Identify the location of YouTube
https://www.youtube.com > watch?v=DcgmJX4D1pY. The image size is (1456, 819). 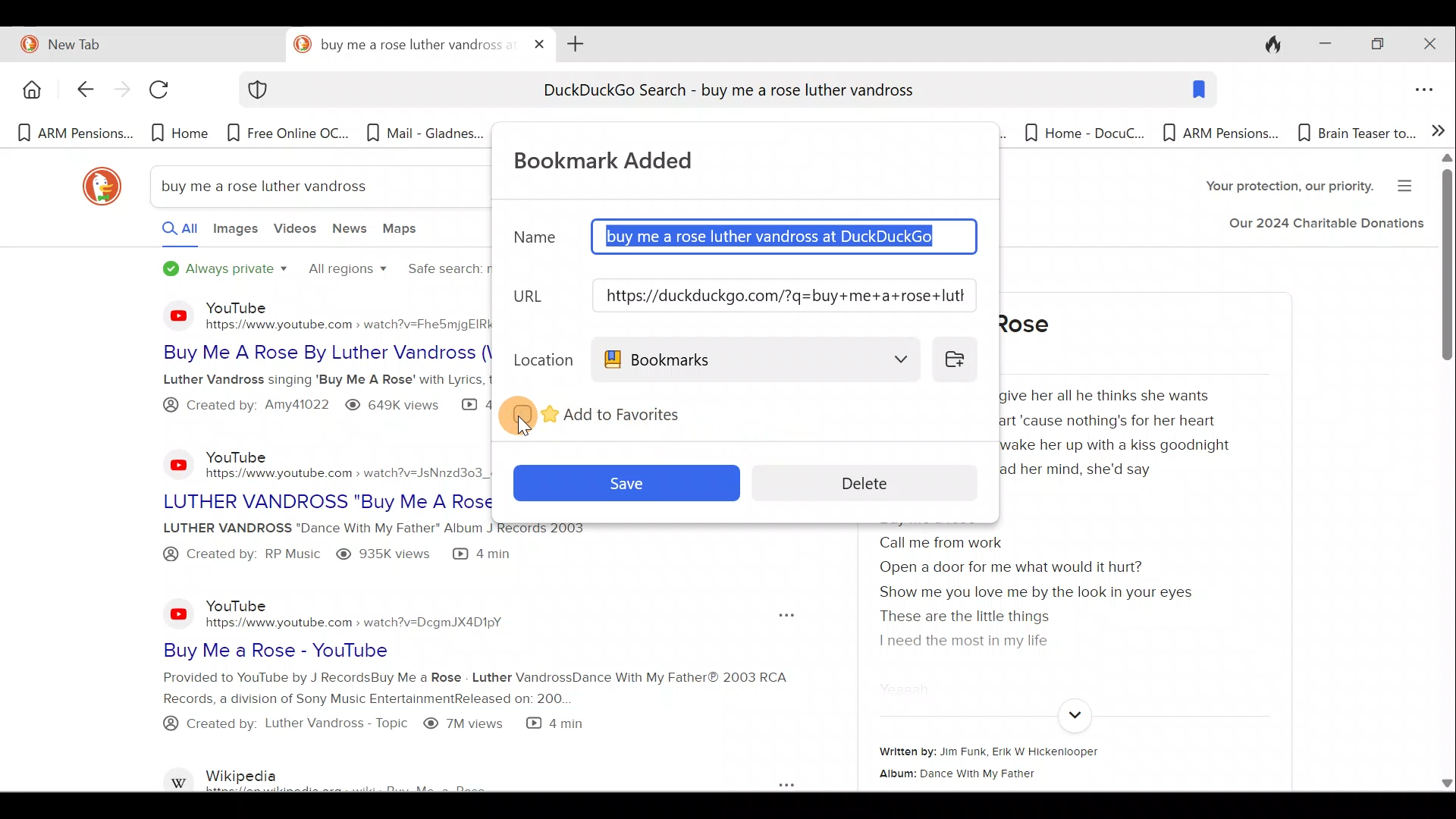
(362, 613).